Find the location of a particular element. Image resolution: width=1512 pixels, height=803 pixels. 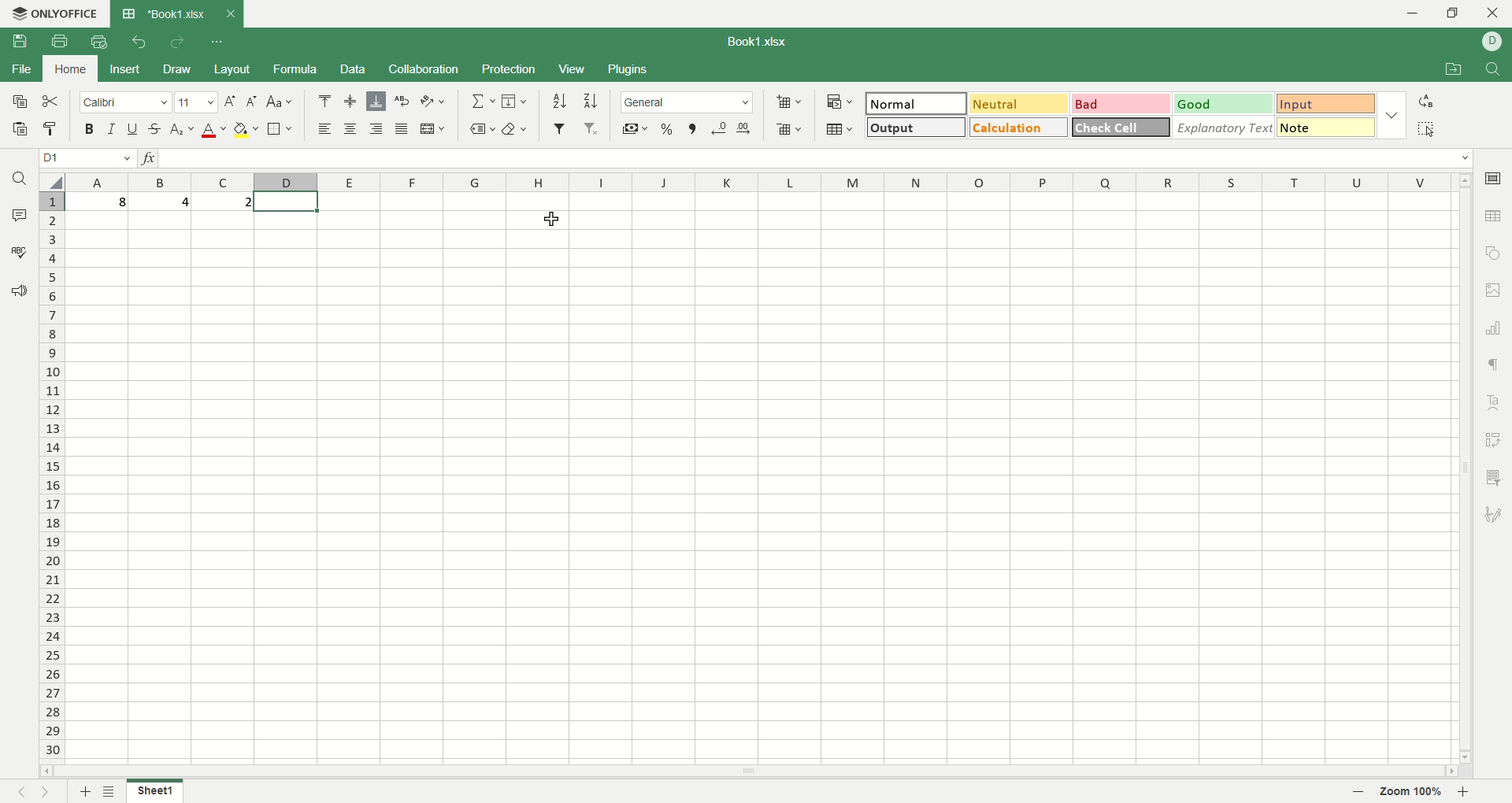

object settings is located at coordinates (1494, 253).